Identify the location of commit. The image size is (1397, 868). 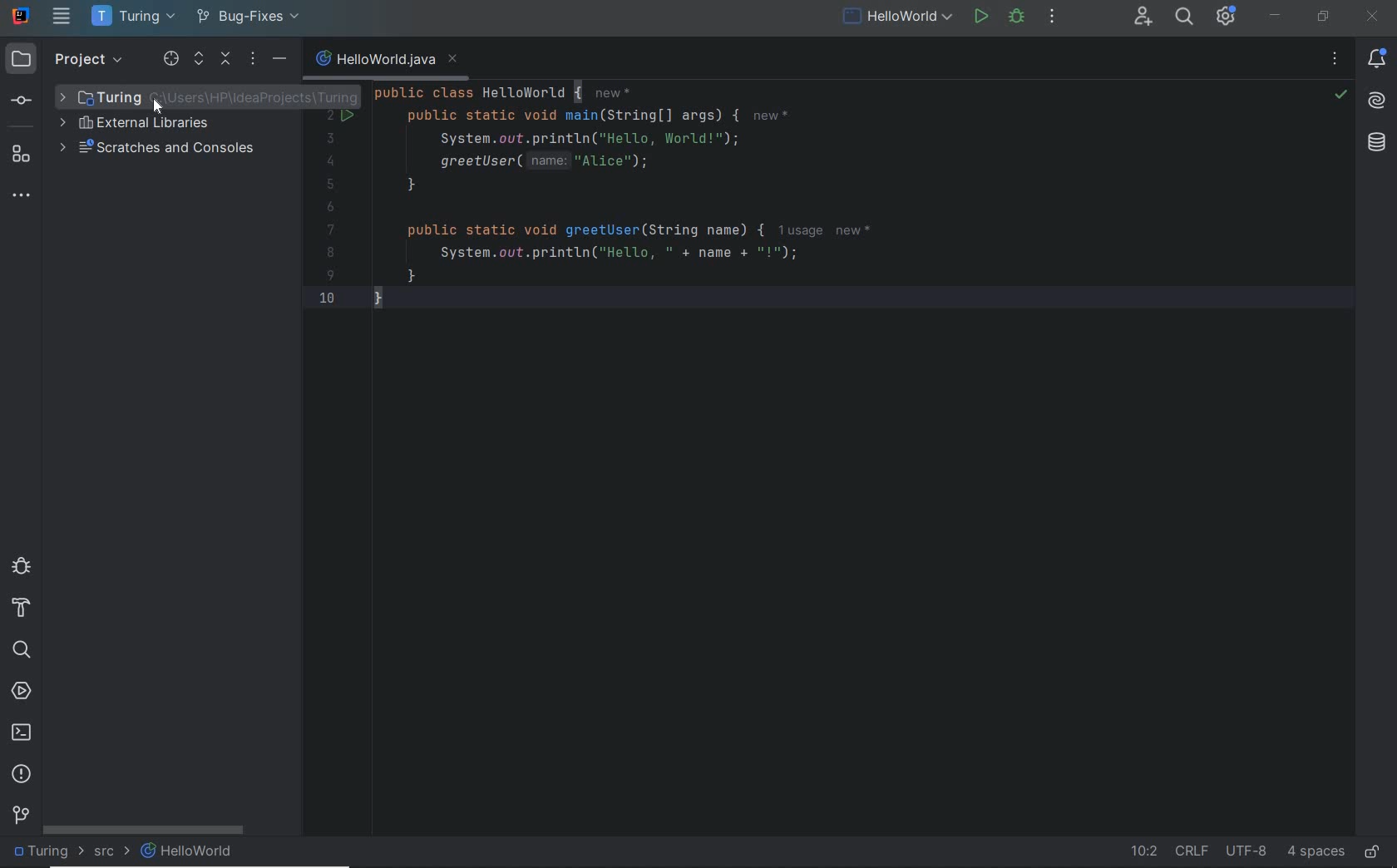
(24, 101).